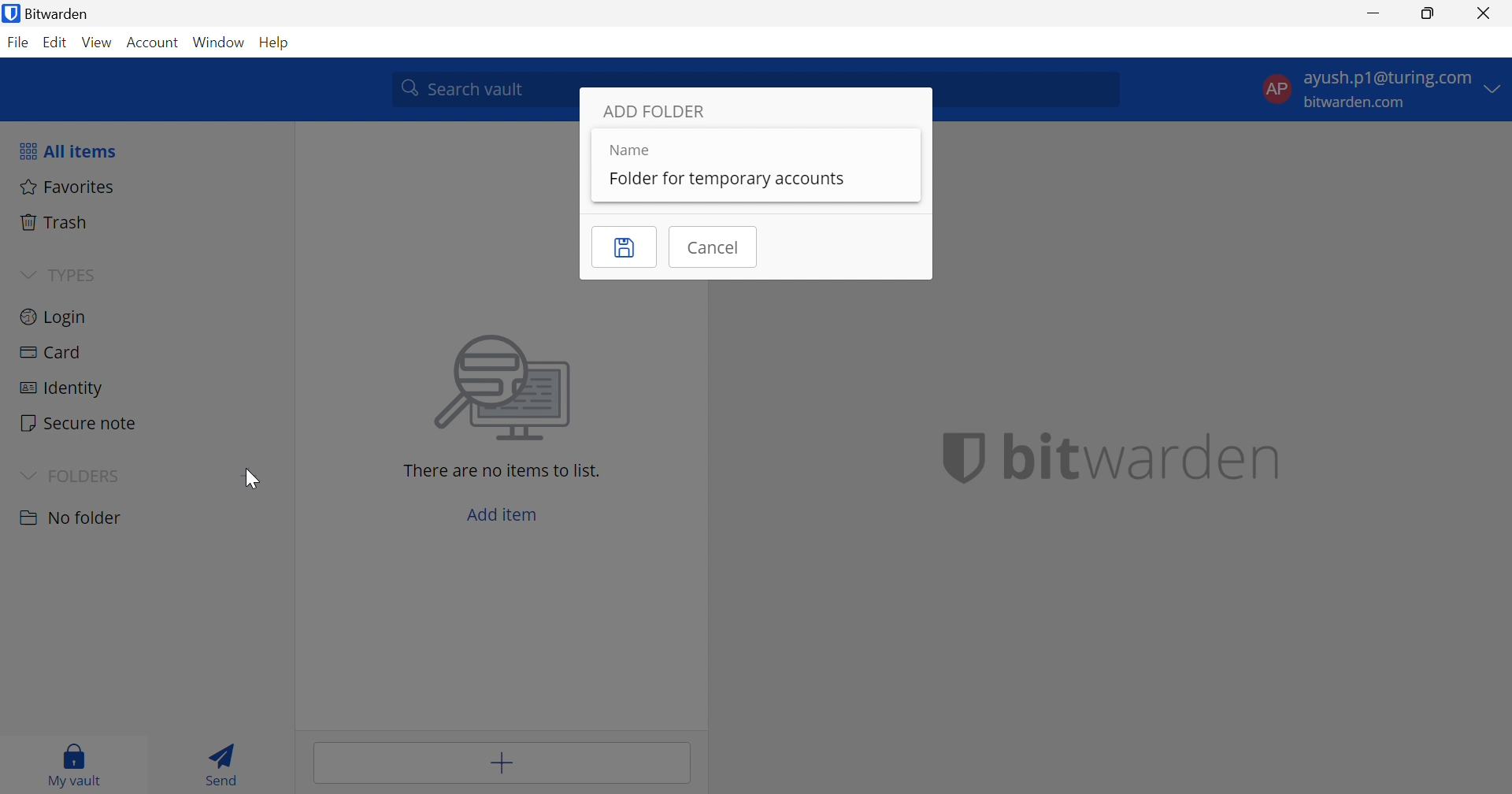 Image resolution: width=1512 pixels, height=794 pixels. Describe the element at coordinates (54, 319) in the screenshot. I see `Login` at that location.